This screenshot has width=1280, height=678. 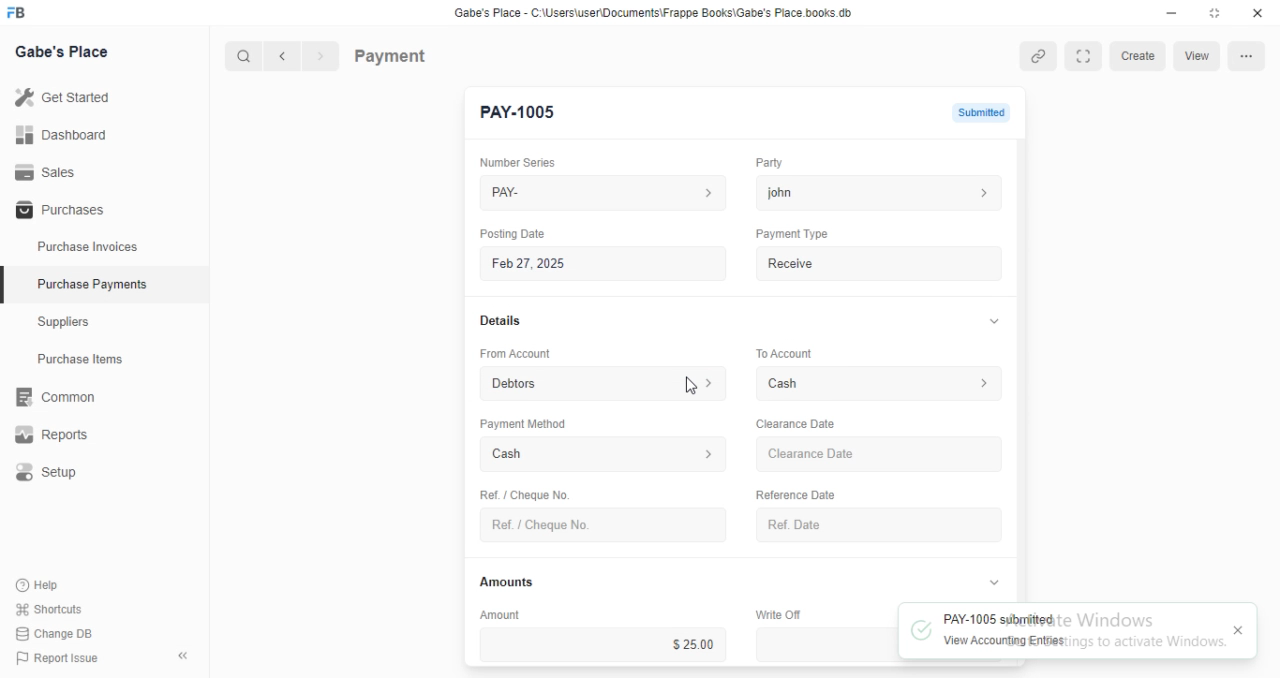 What do you see at coordinates (1242, 631) in the screenshot?
I see `CLOSE` at bounding box center [1242, 631].